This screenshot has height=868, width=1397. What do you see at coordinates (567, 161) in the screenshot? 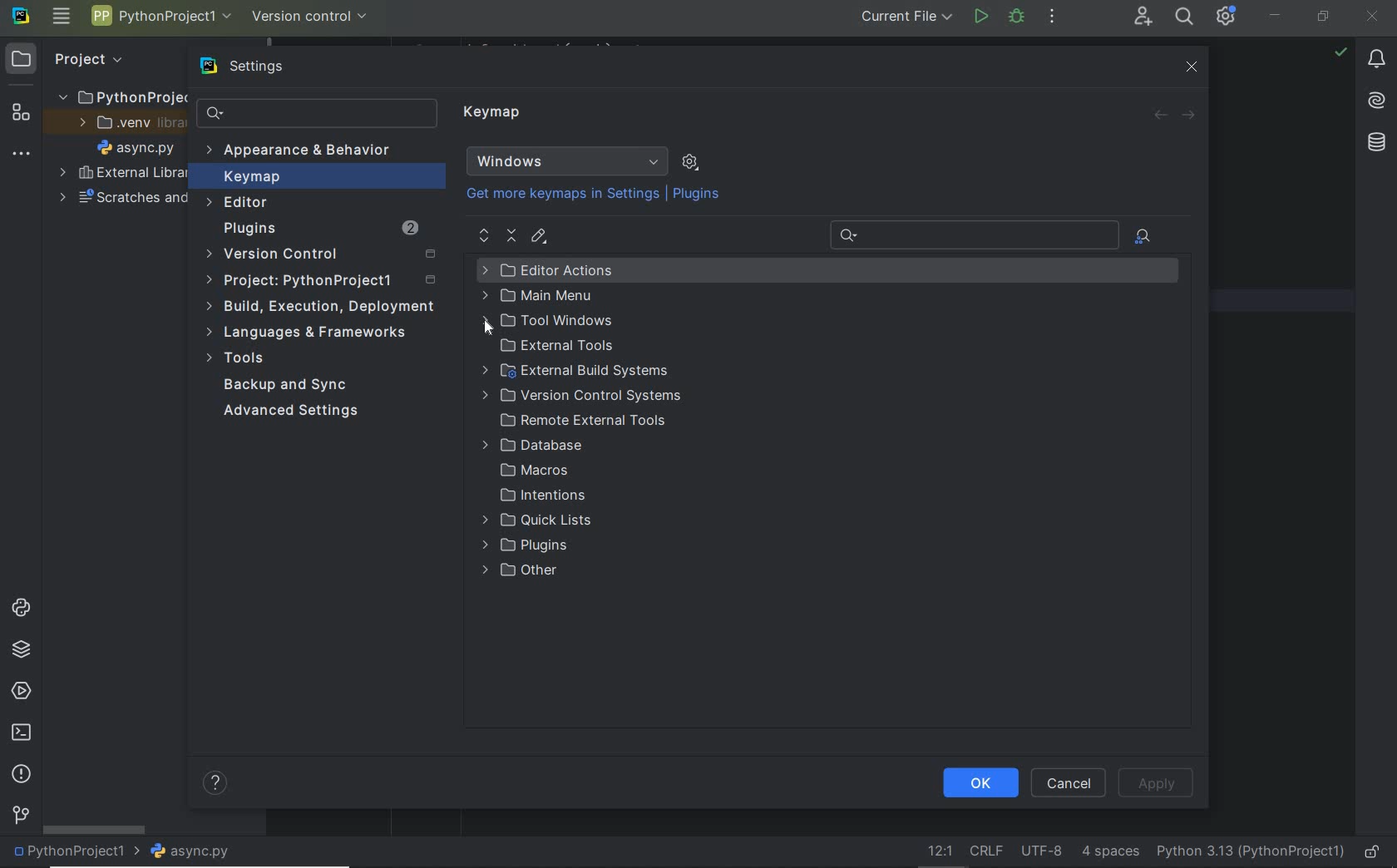
I see `Windows` at bounding box center [567, 161].